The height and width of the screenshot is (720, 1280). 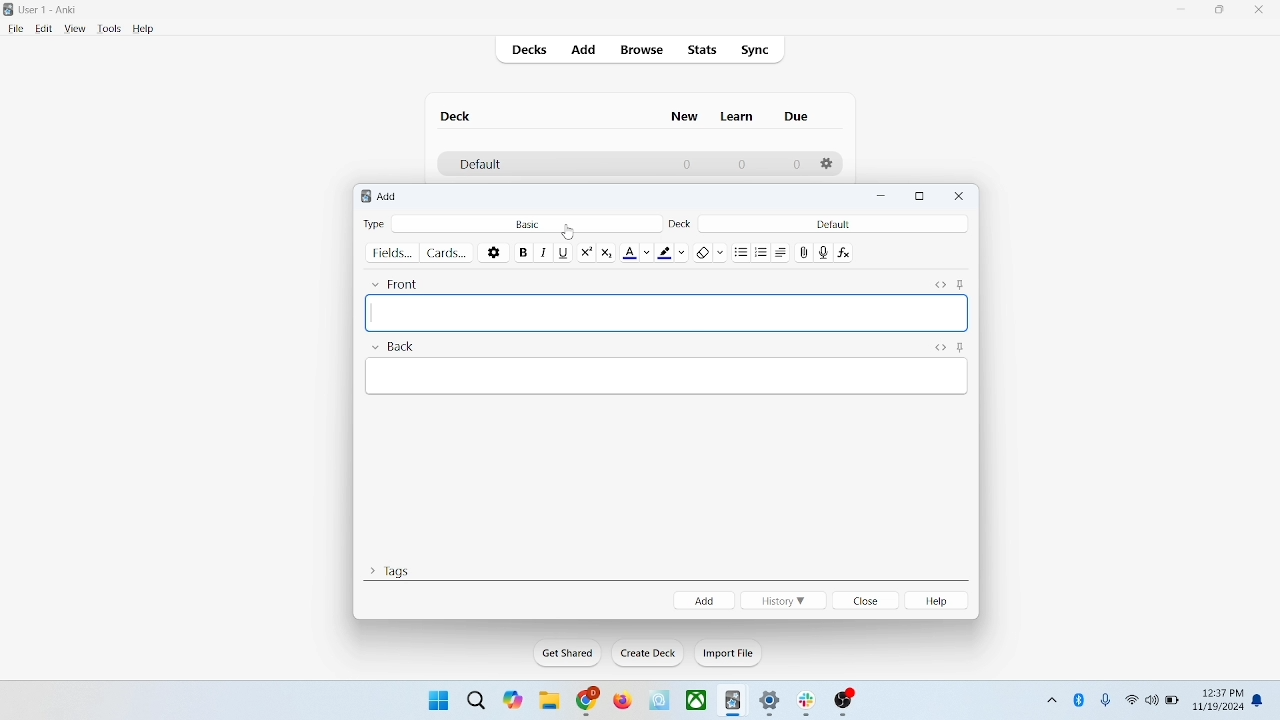 I want to click on window, so click(x=436, y=699).